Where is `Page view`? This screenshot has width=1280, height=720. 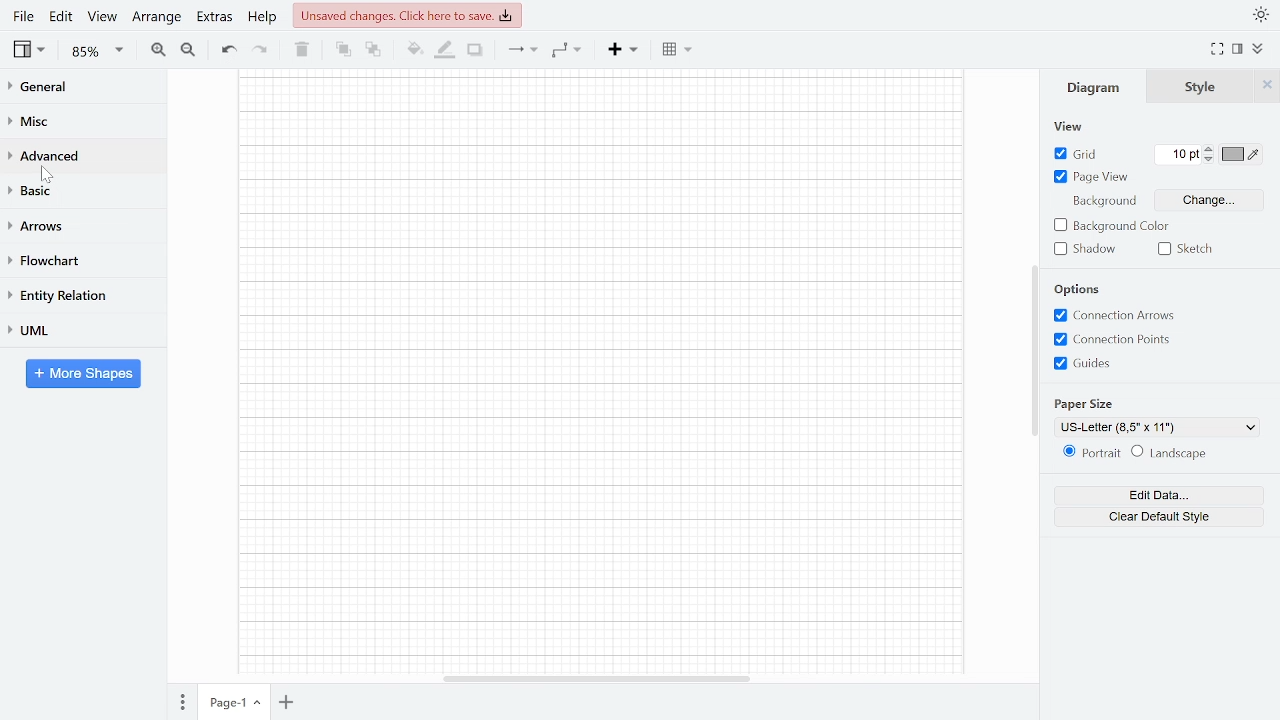
Page view is located at coordinates (1095, 178).